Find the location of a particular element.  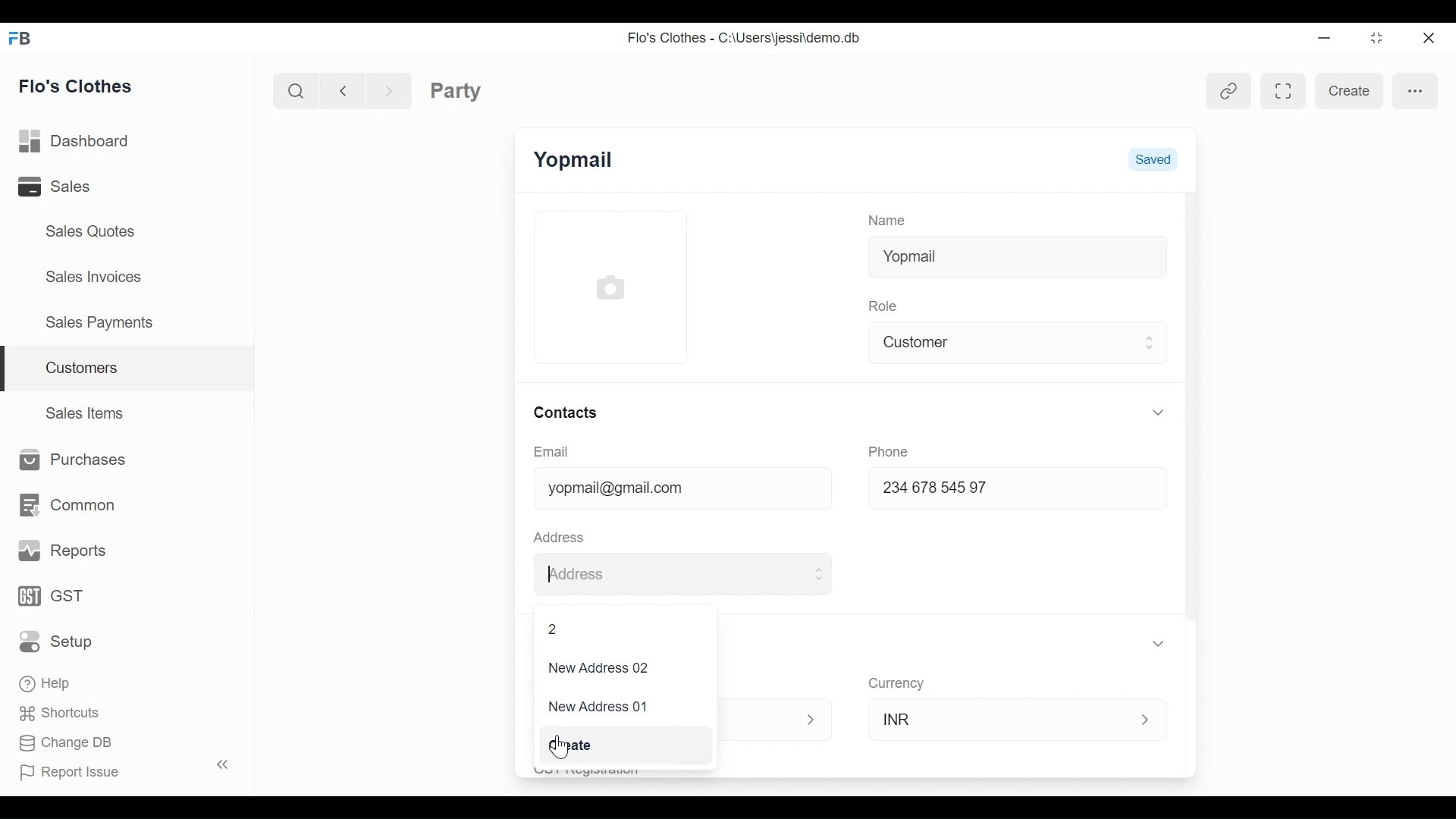

New Address 02 is located at coordinates (601, 667).